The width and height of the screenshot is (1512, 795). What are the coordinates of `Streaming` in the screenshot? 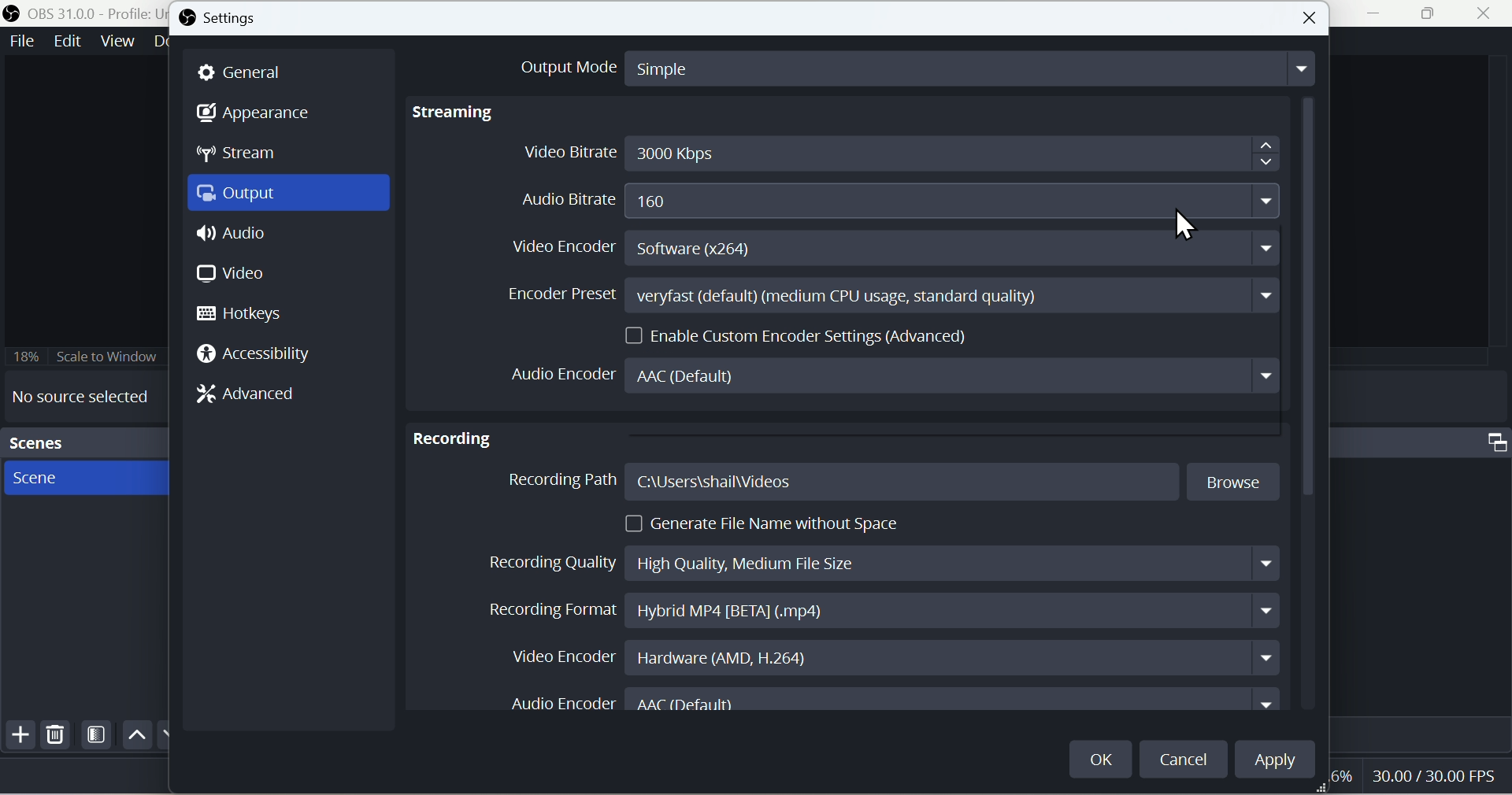 It's located at (458, 113).